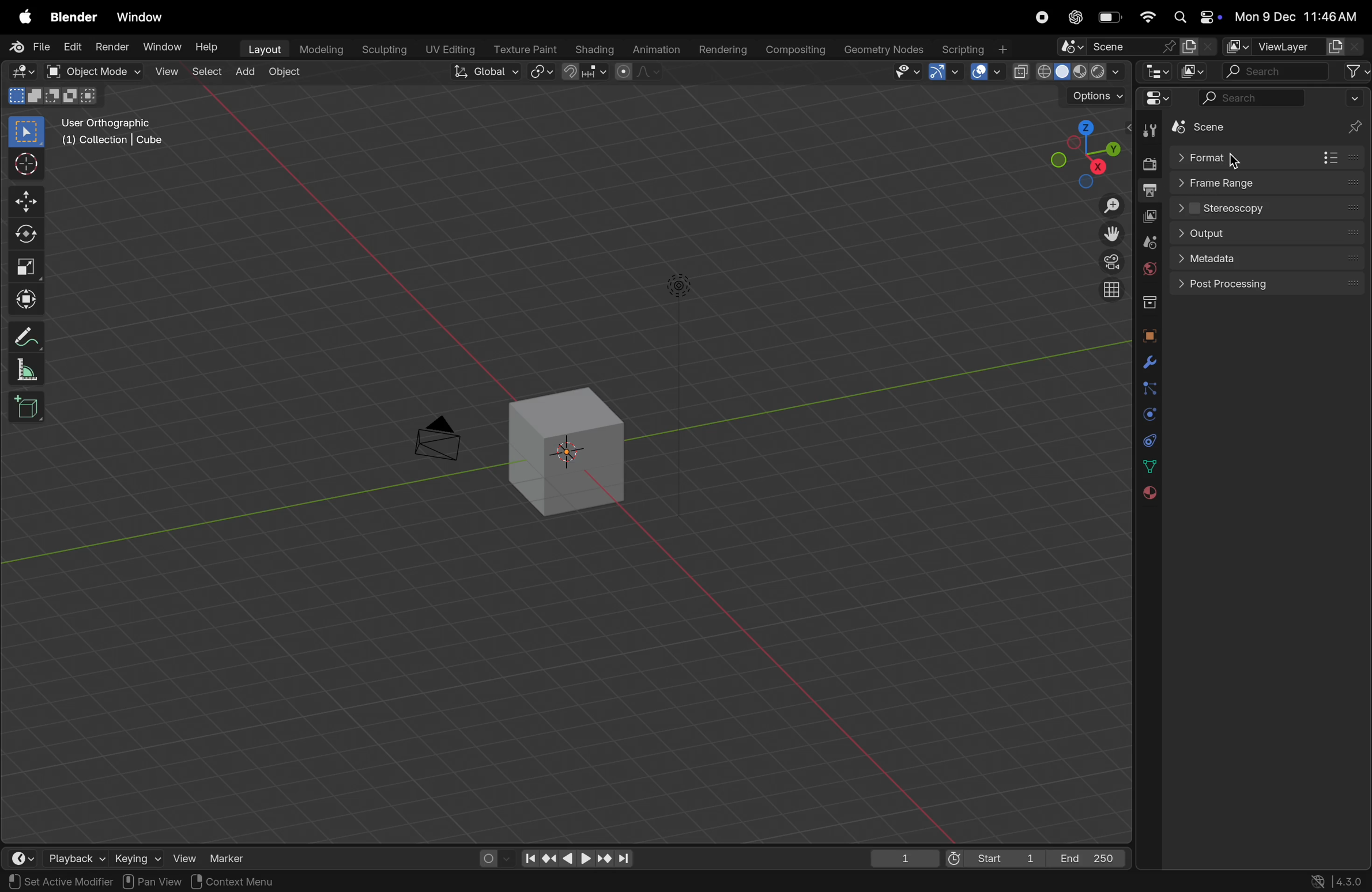 Image resolution: width=1372 pixels, height=892 pixels. Describe the element at coordinates (74, 46) in the screenshot. I see `Edit` at that location.